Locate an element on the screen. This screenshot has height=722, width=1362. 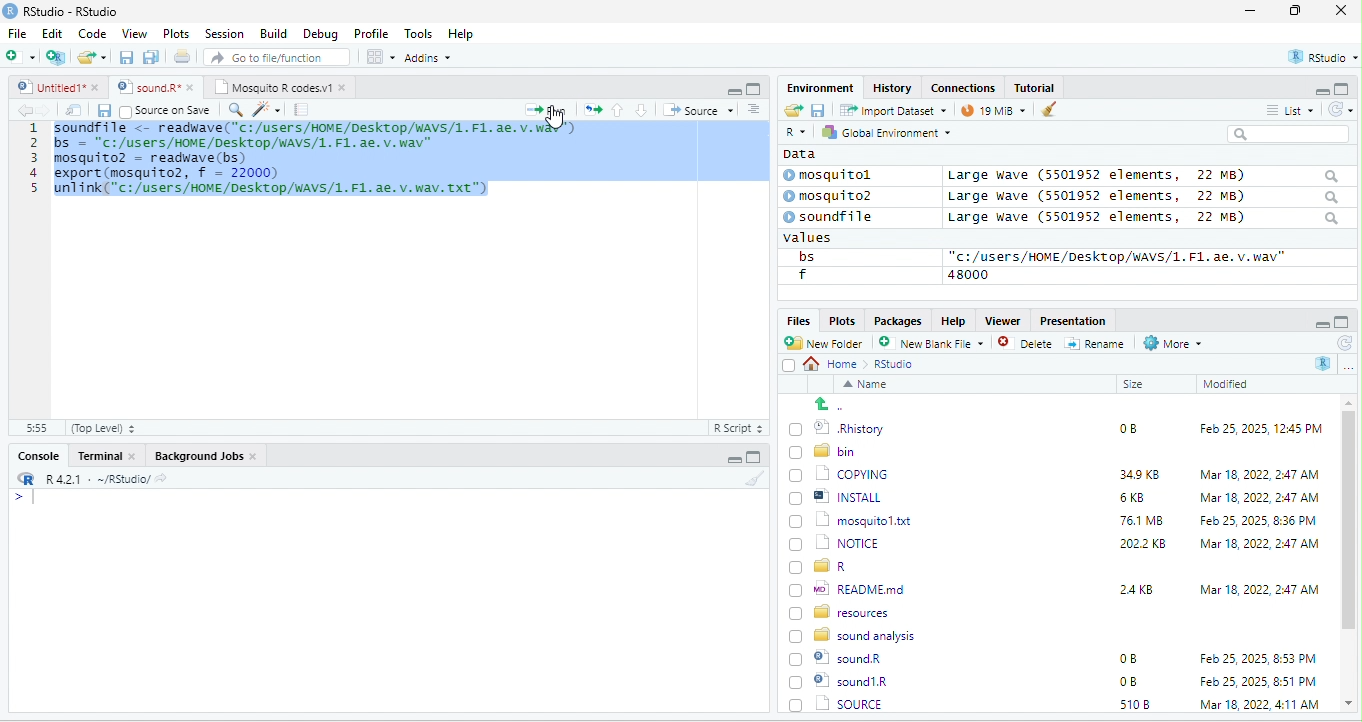
RStudio is located at coordinates (64, 10).